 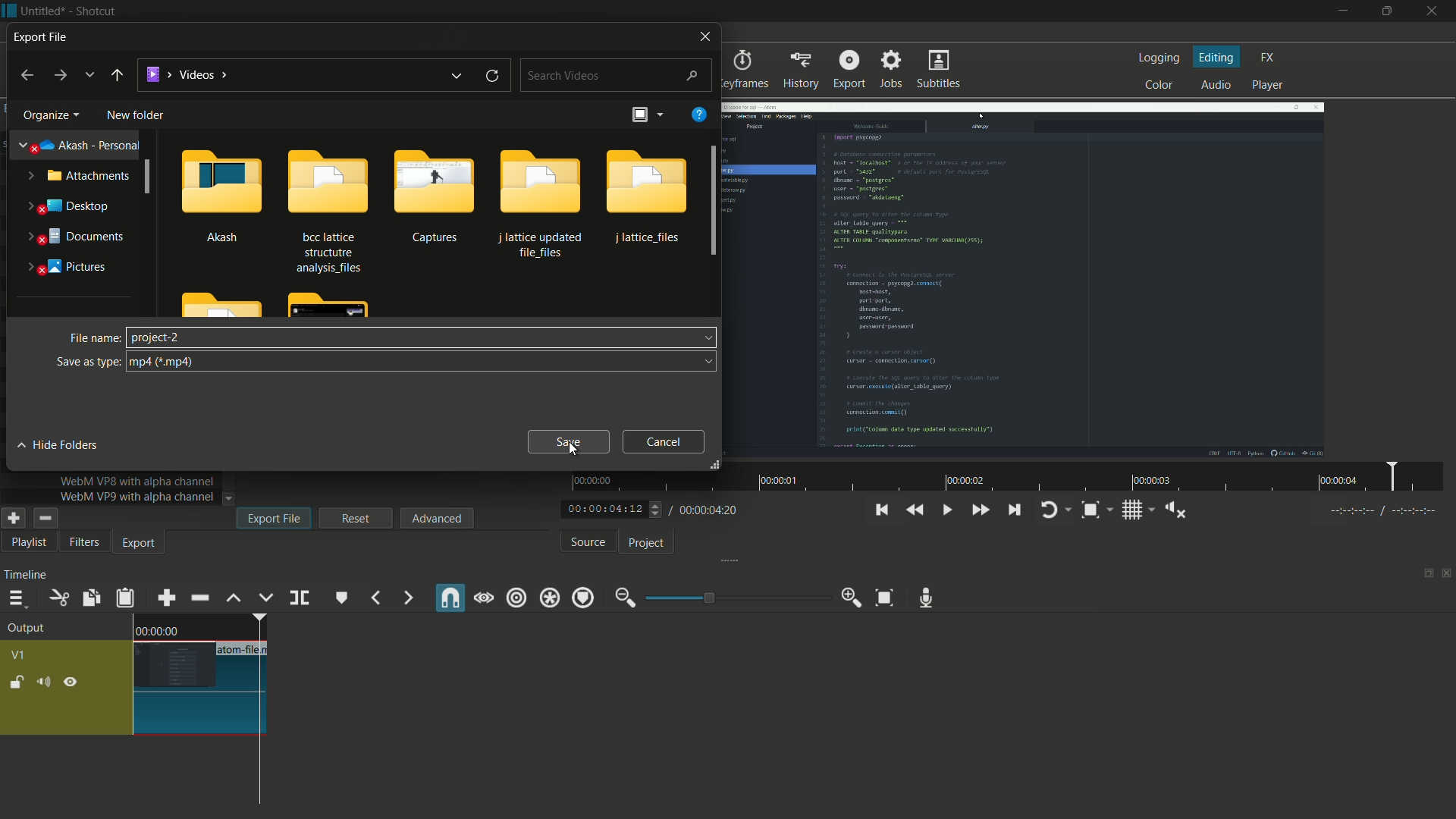 I want to click on dropdown, so click(x=228, y=499).